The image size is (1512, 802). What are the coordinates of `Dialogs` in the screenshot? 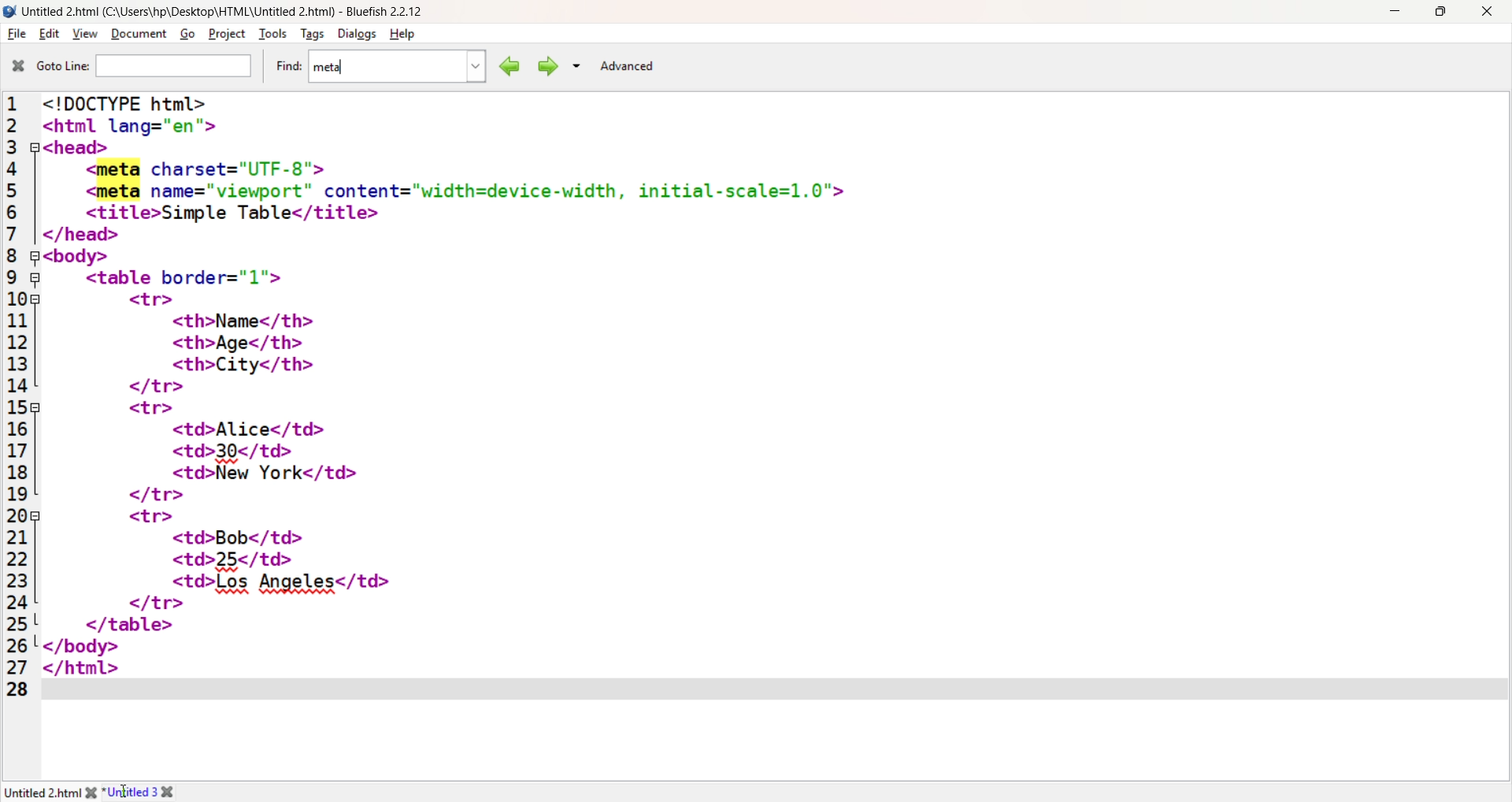 It's located at (355, 34).